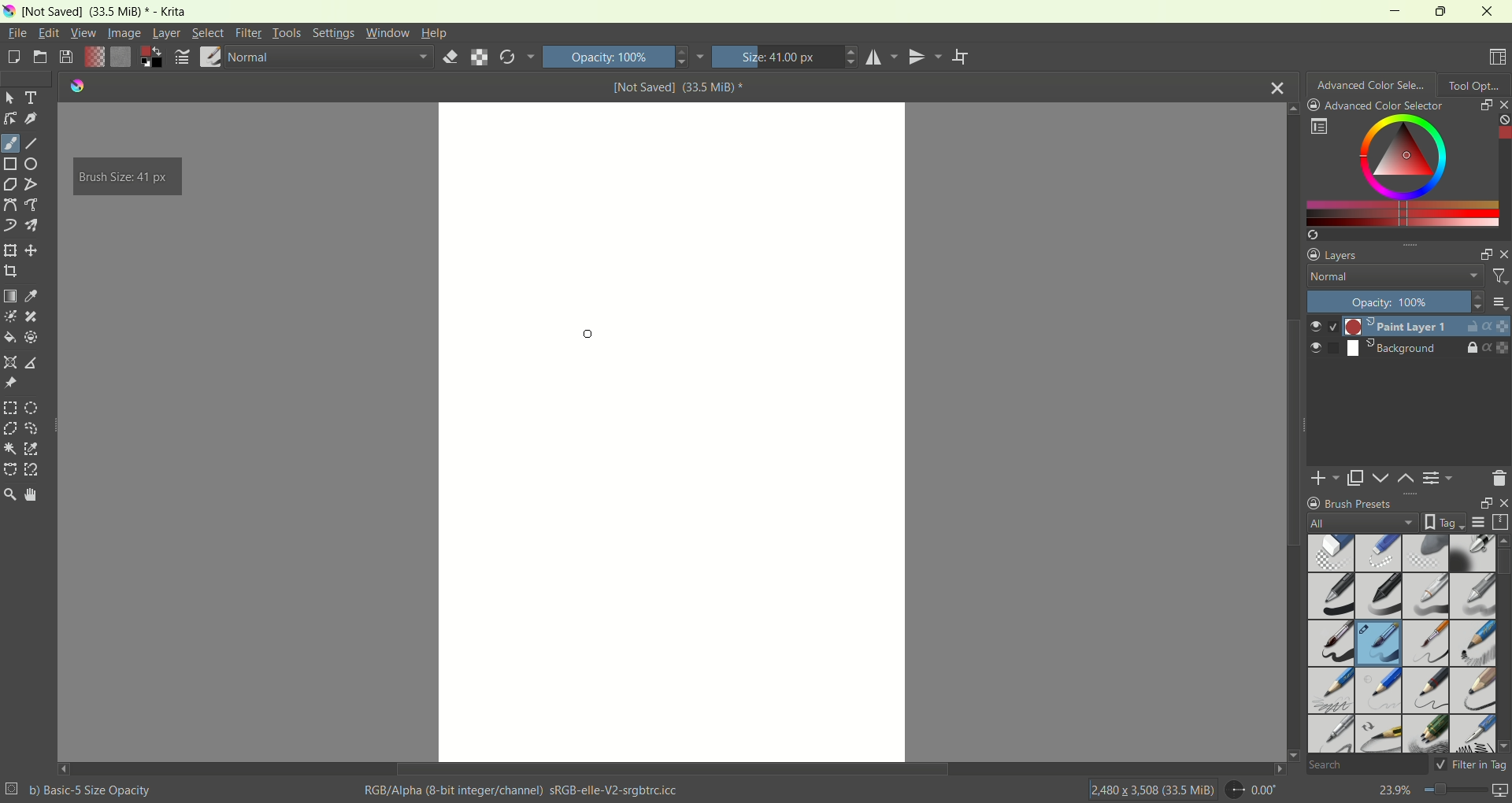 This screenshot has width=1512, height=803. Describe the element at coordinates (10, 408) in the screenshot. I see `rectangular selection` at that location.